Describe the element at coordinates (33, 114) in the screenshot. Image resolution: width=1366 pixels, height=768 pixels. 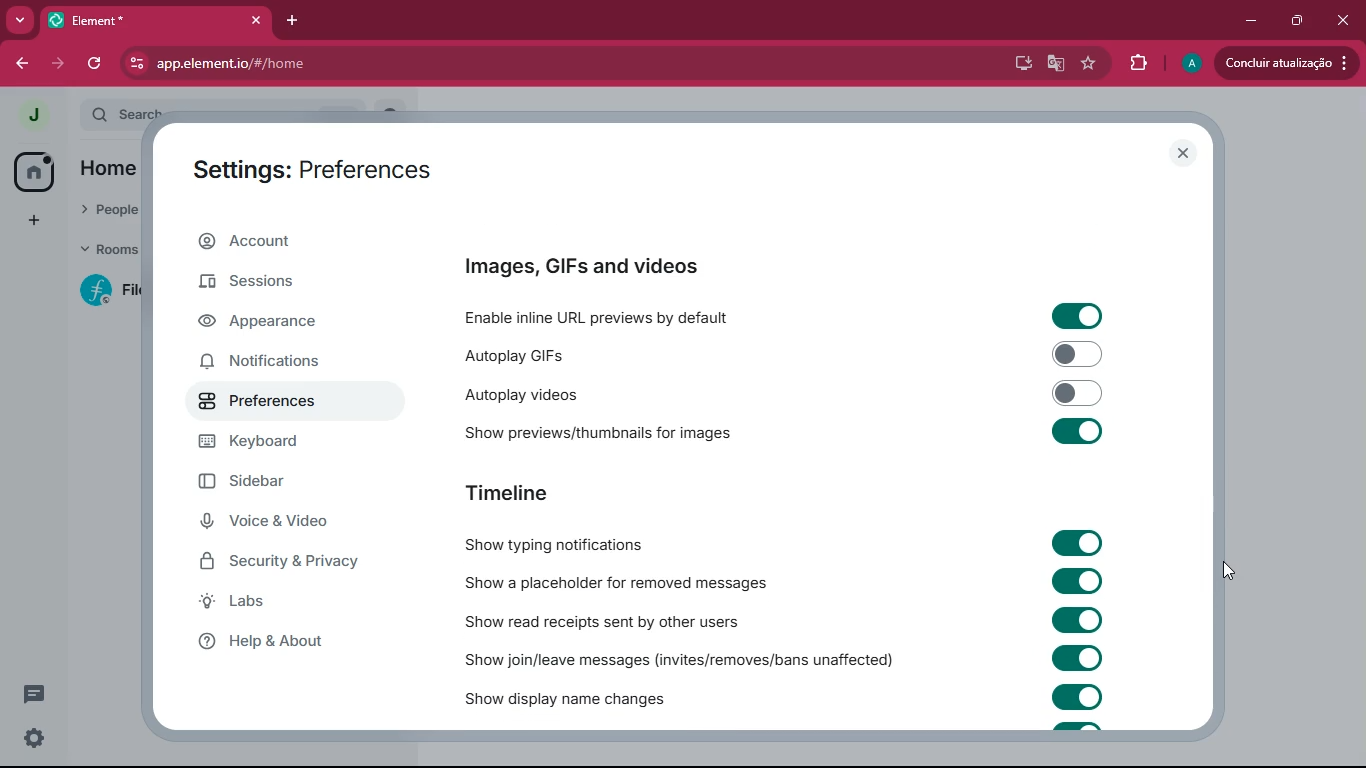
I see `profile picture` at that location.